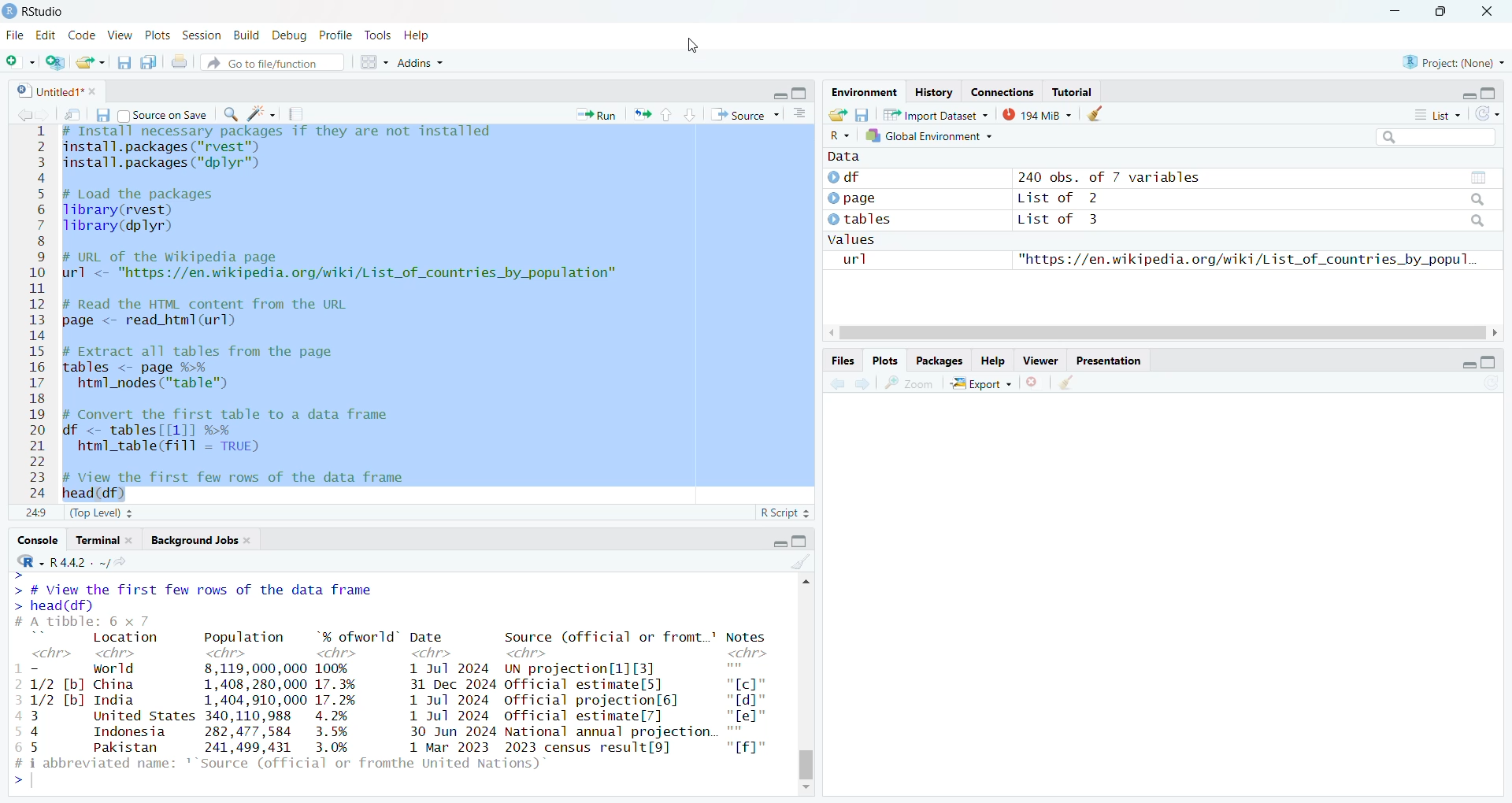 The height and width of the screenshot is (803, 1512). What do you see at coordinates (691, 115) in the screenshot?
I see `down` at bounding box center [691, 115].